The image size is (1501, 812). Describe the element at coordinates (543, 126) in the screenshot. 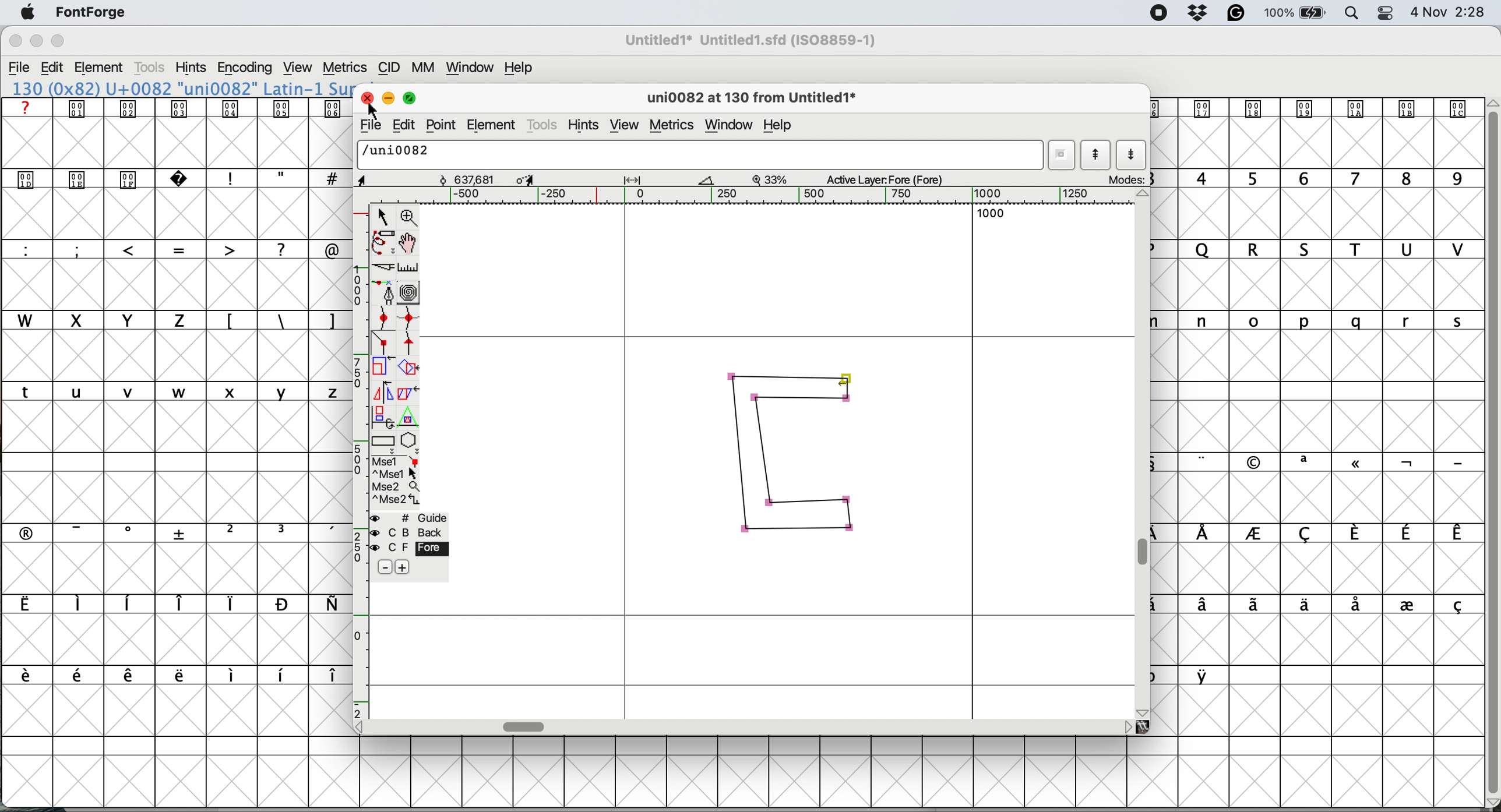

I see `tools` at that location.